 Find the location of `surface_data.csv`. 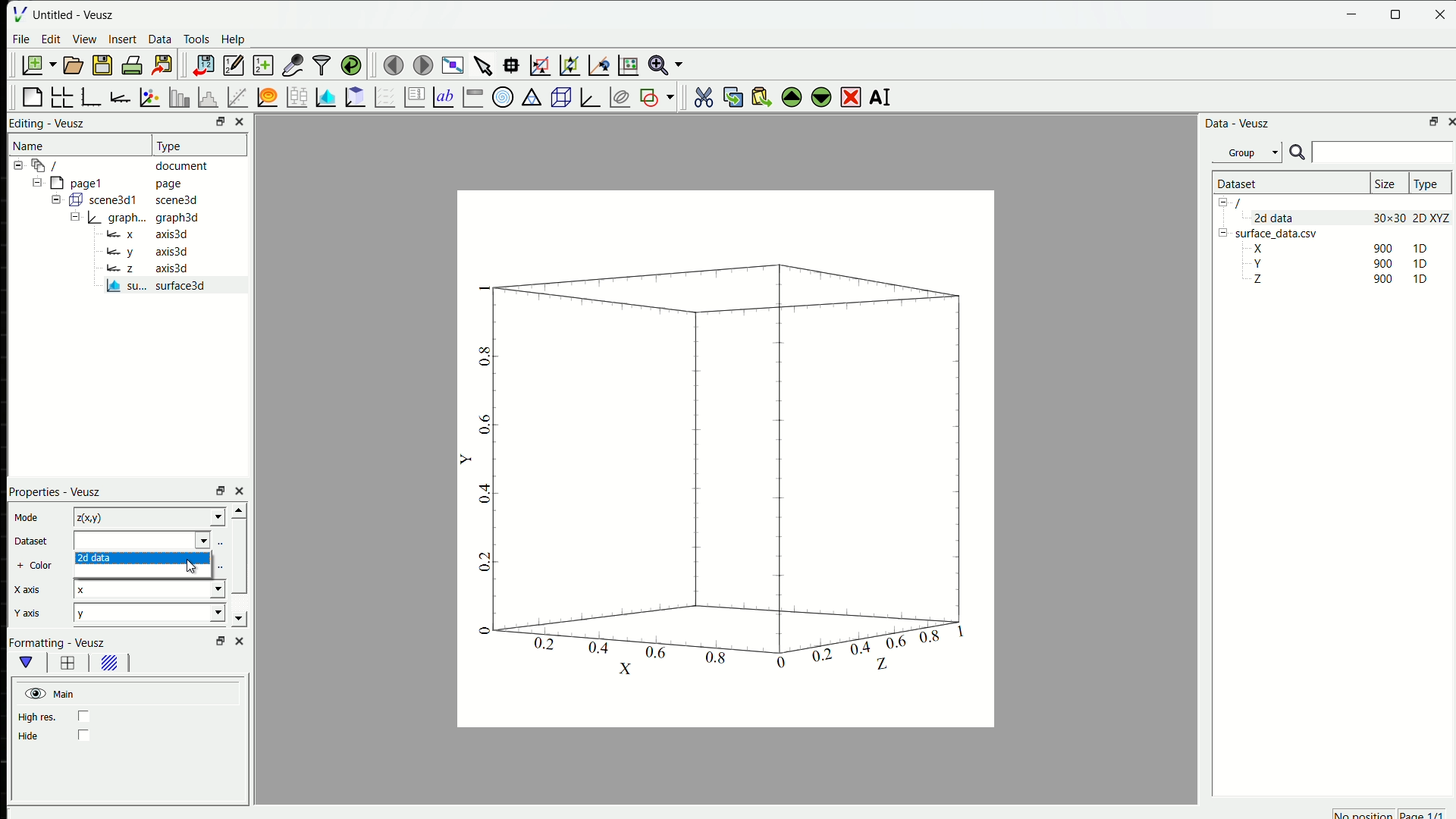

surface_data.csv is located at coordinates (1278, 234).